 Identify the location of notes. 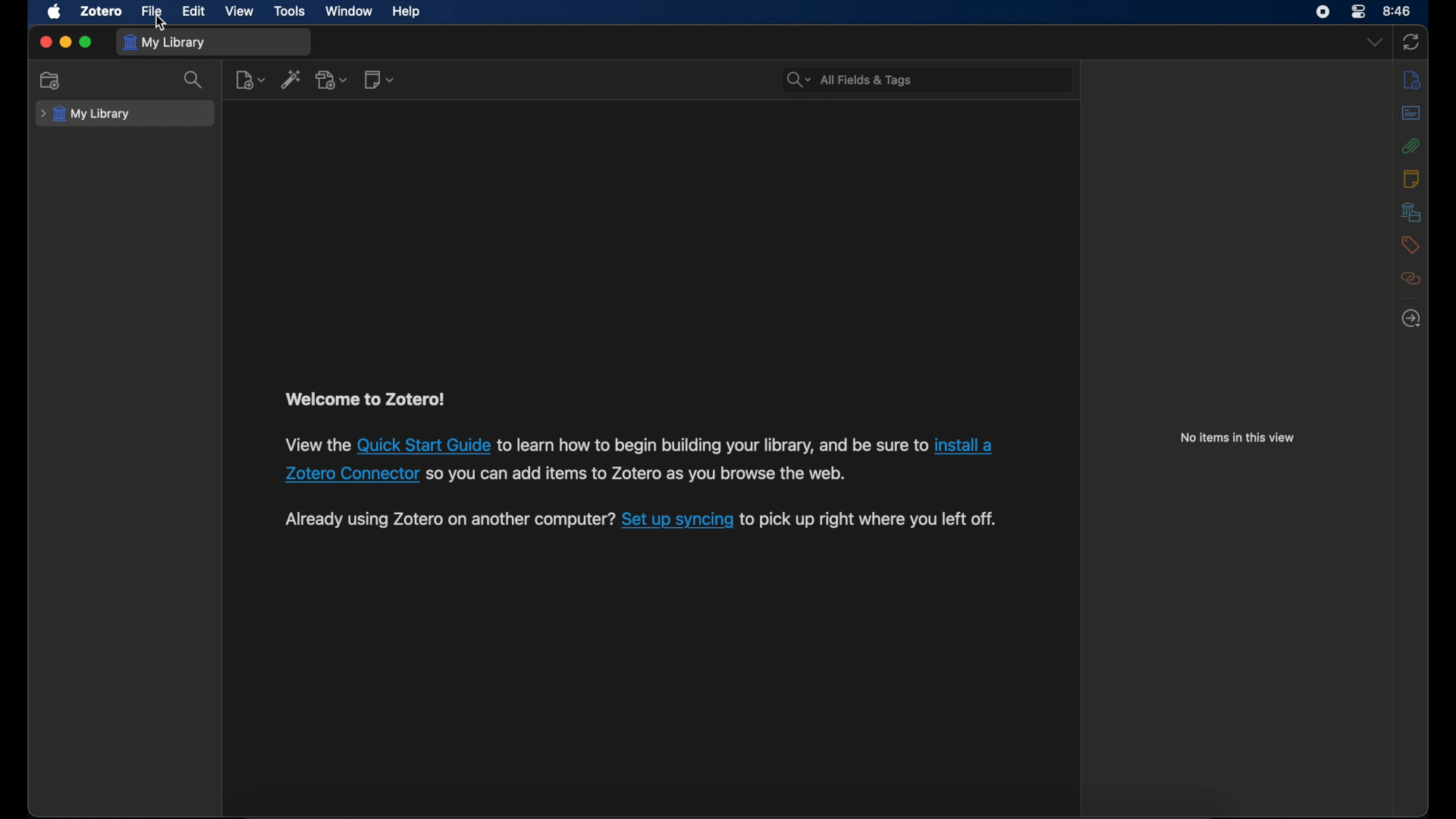
(1414, 178).